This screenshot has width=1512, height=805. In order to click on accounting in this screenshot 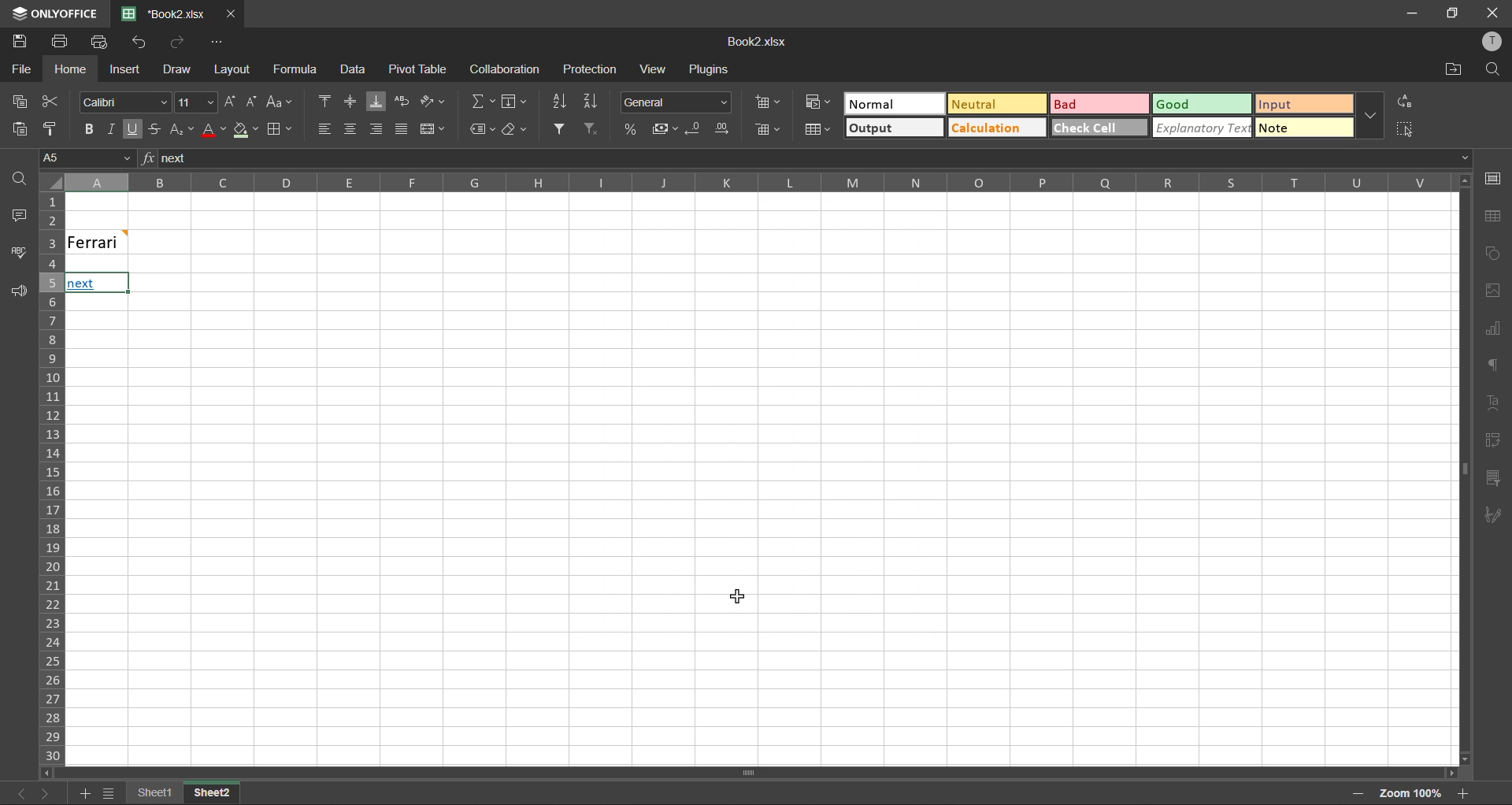, I will do `click(662, 129)`.